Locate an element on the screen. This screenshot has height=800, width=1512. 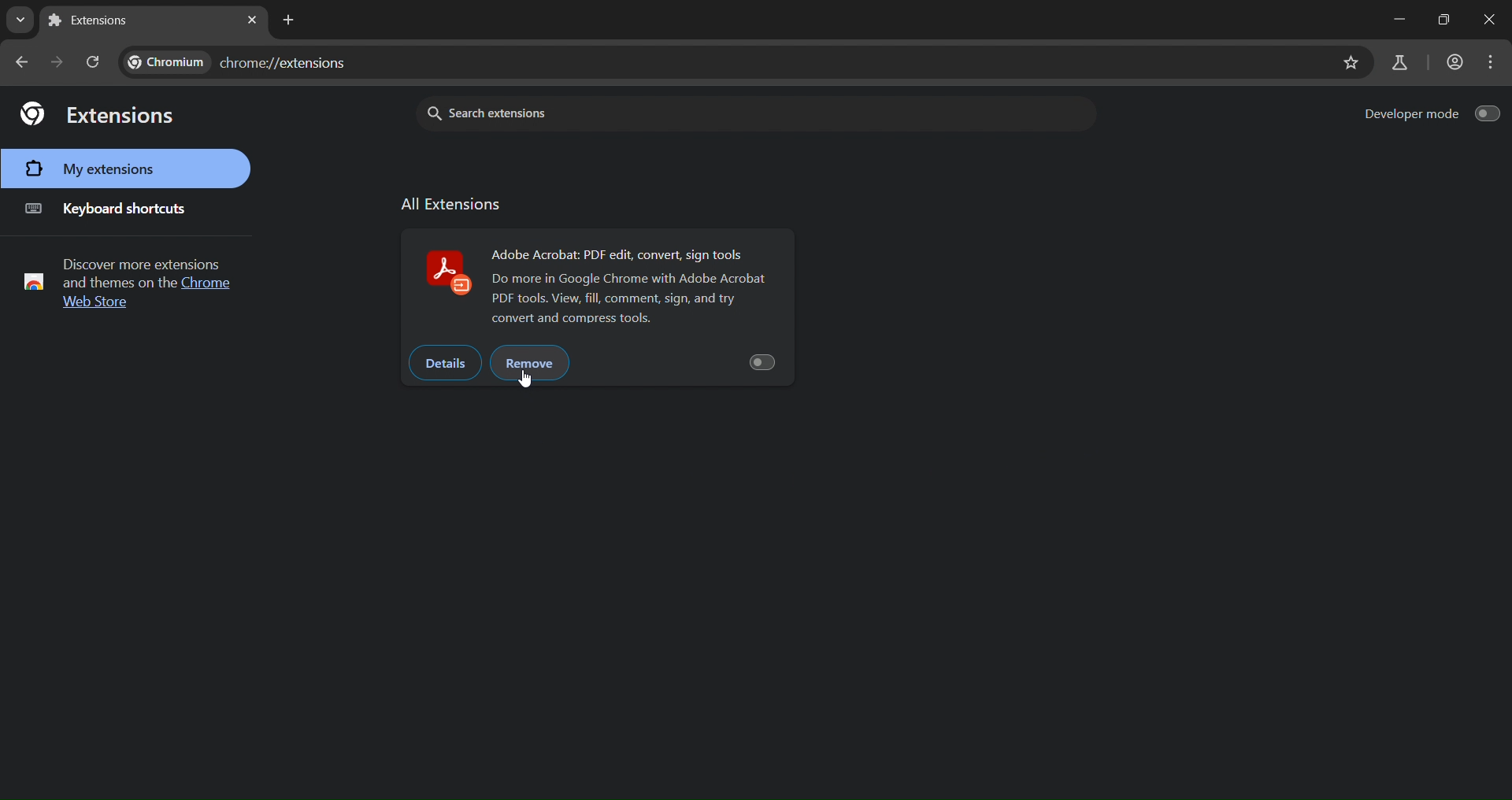
go forward one page is located at coordinates (60, 64).